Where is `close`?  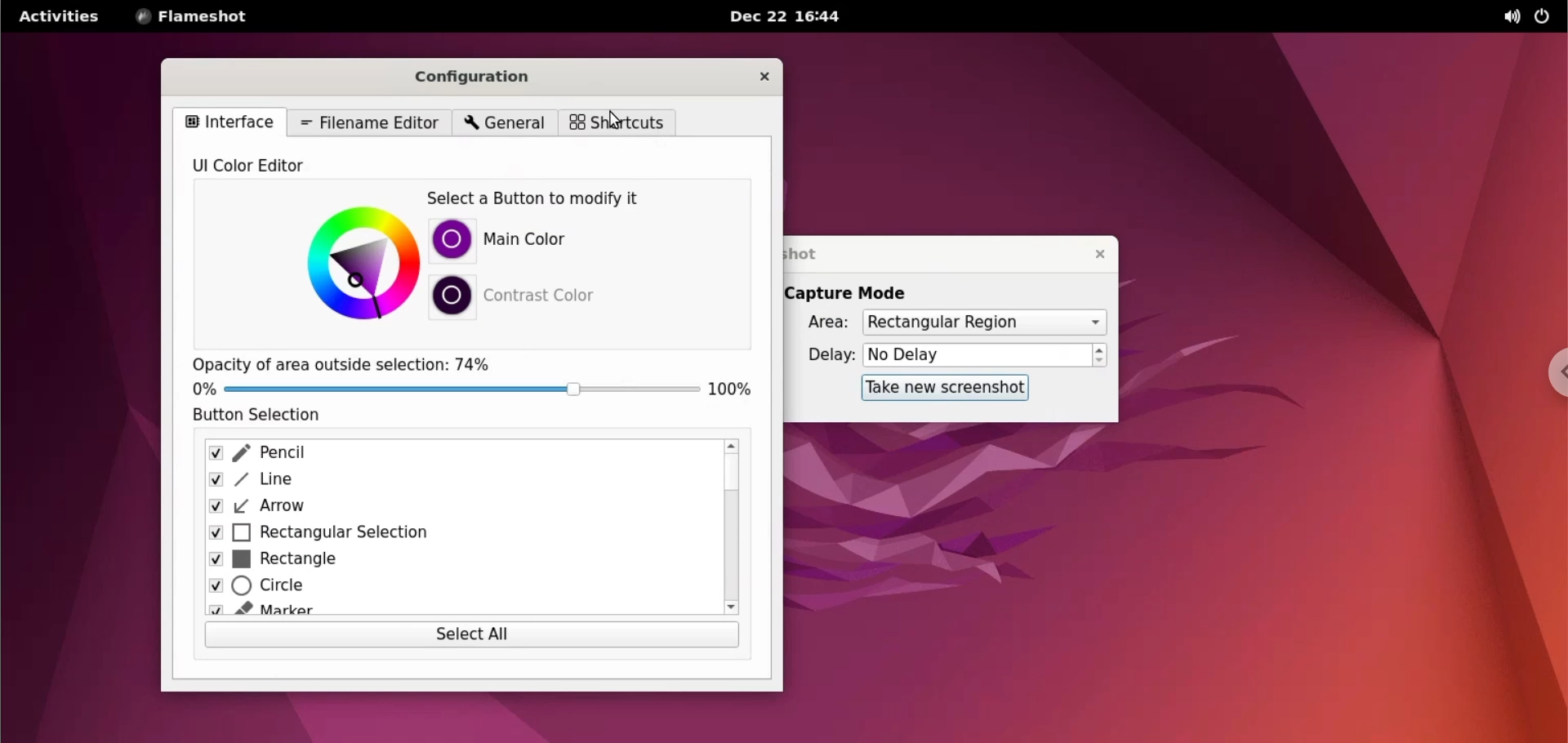
close is located at coordinates (1094, 253).